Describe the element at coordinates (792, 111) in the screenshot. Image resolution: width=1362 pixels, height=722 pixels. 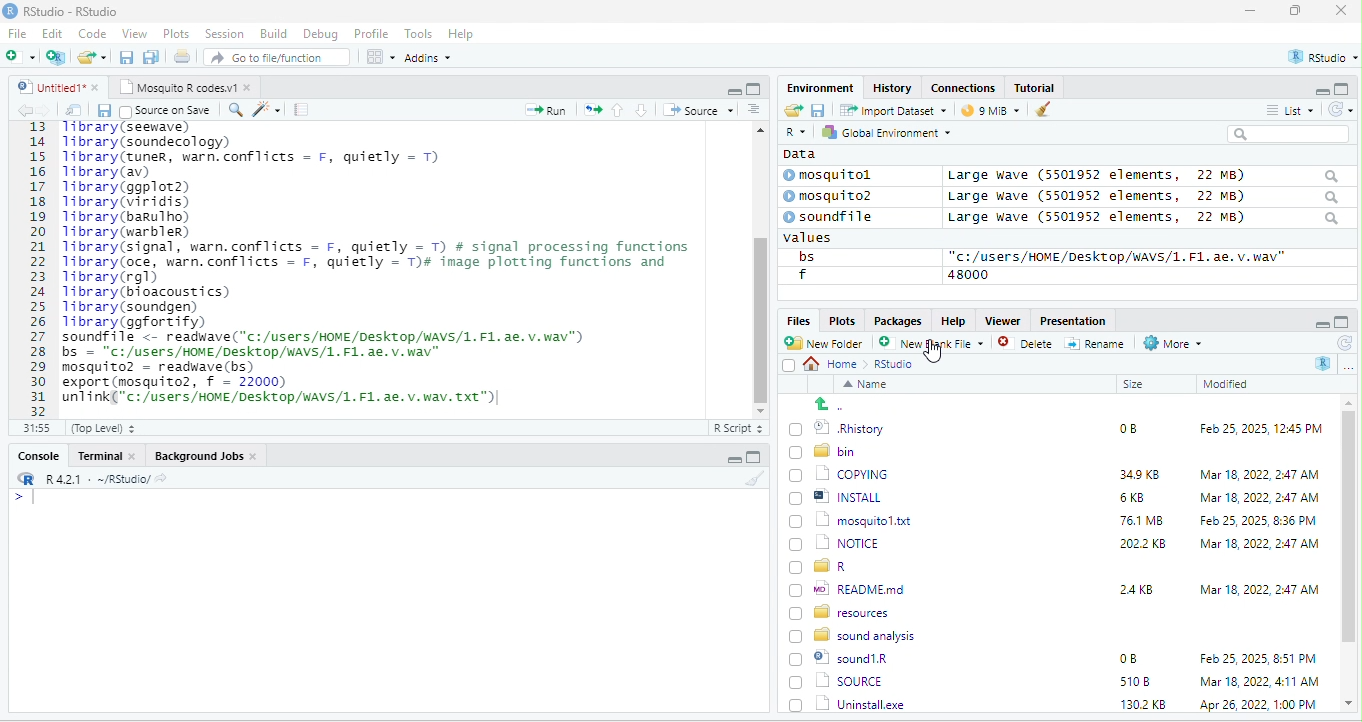
I see `open` at that location.